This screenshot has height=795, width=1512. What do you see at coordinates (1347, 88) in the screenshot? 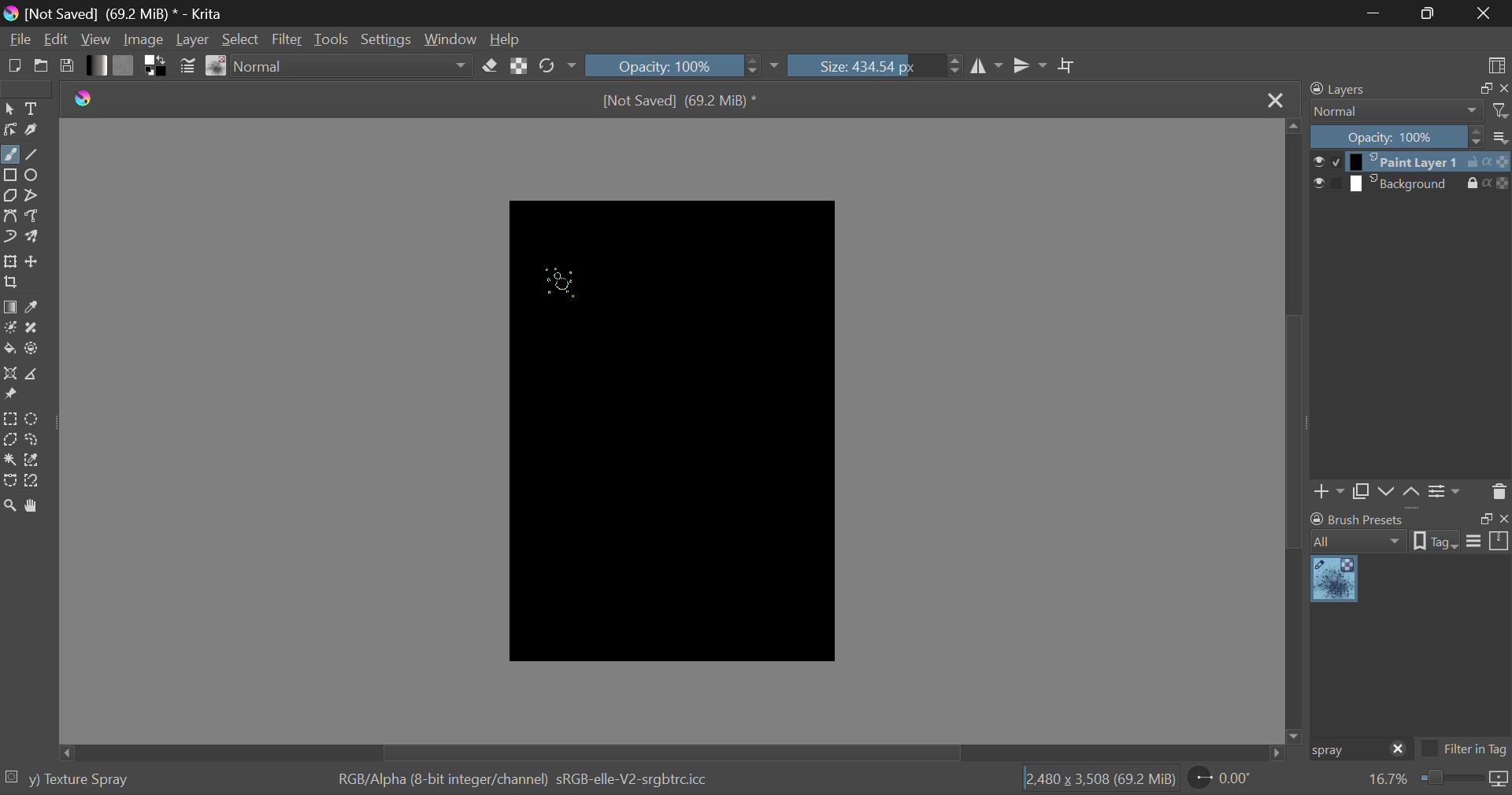
I see `Layers` at bounding box center [1347, 88].